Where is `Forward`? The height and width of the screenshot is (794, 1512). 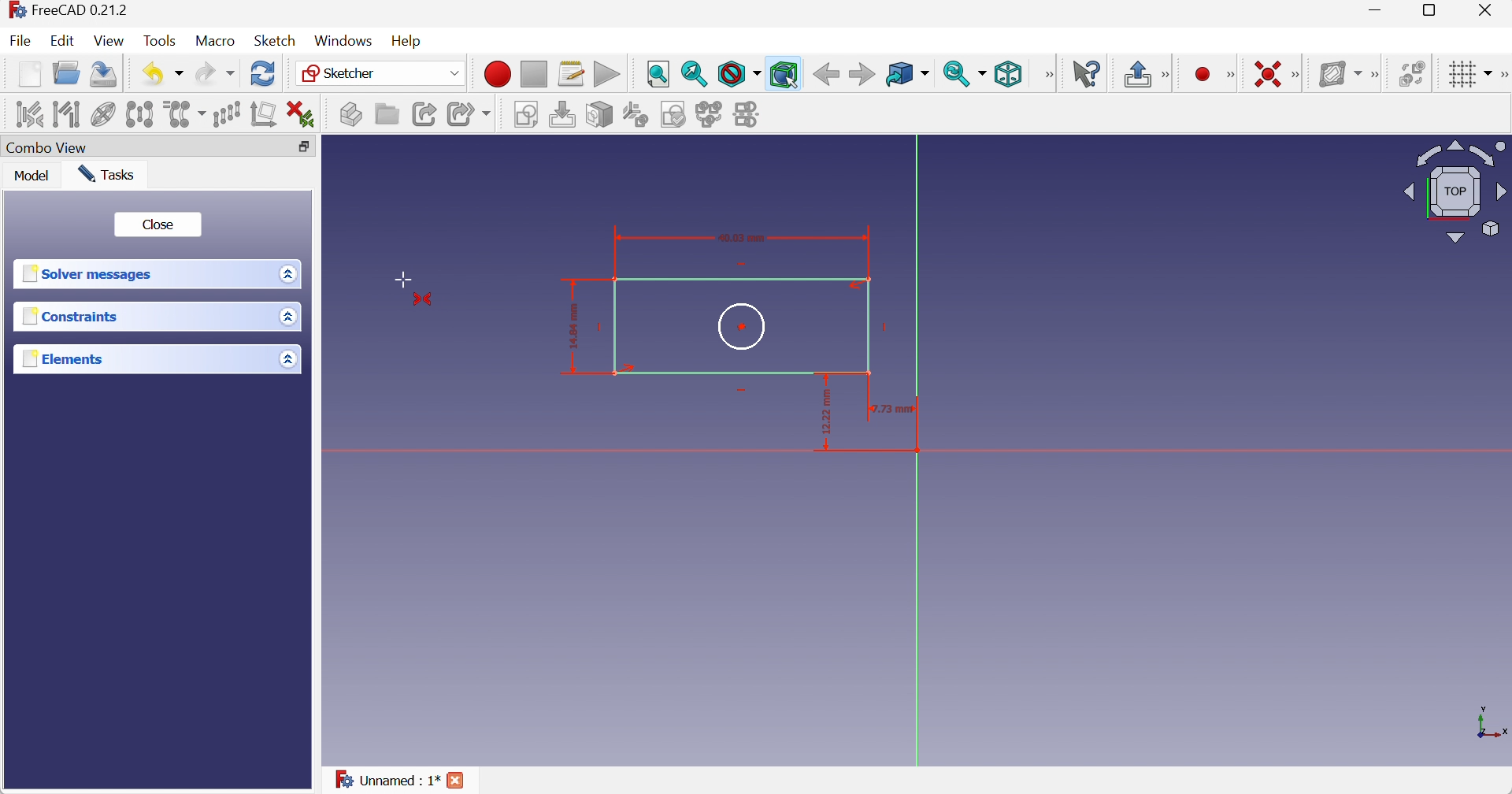 Forward is located at coordinates (862, 75).